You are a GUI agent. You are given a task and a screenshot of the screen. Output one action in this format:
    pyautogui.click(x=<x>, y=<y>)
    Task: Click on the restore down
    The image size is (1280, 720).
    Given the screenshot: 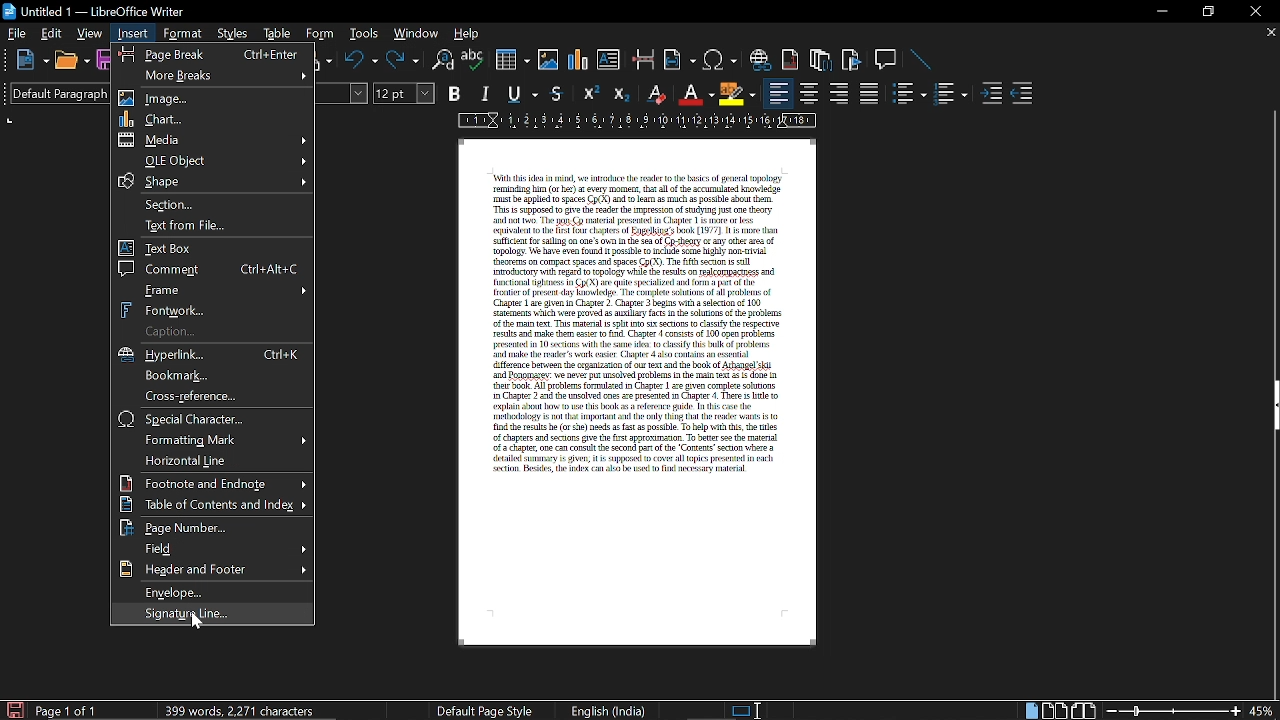 What is the action you would take?
    pyautogui.click(x=1208, y=12)
    